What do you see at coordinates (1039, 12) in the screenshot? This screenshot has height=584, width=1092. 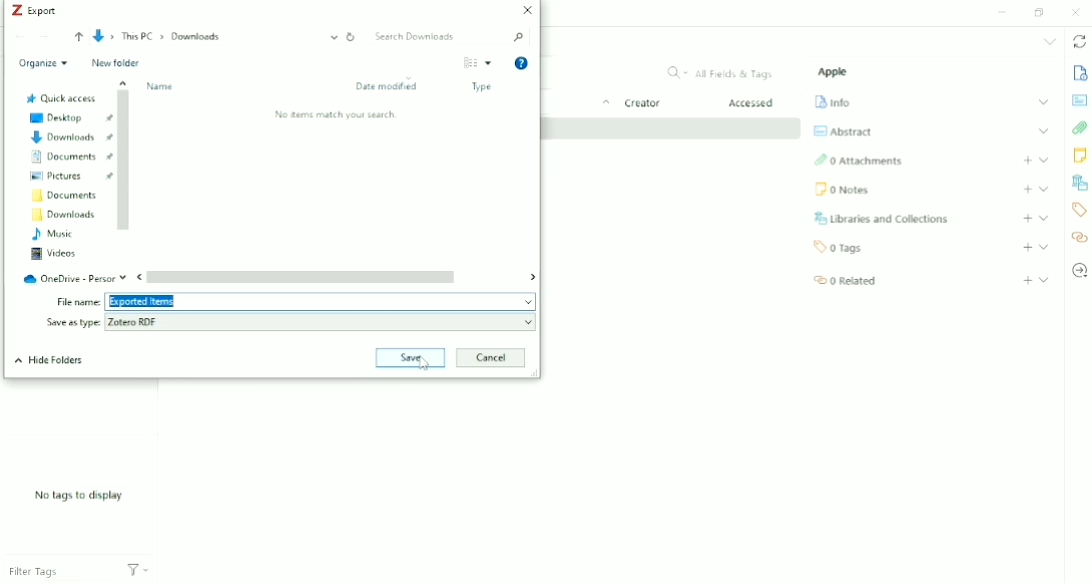 I see `maximize` at bounding box center [1039, 12].